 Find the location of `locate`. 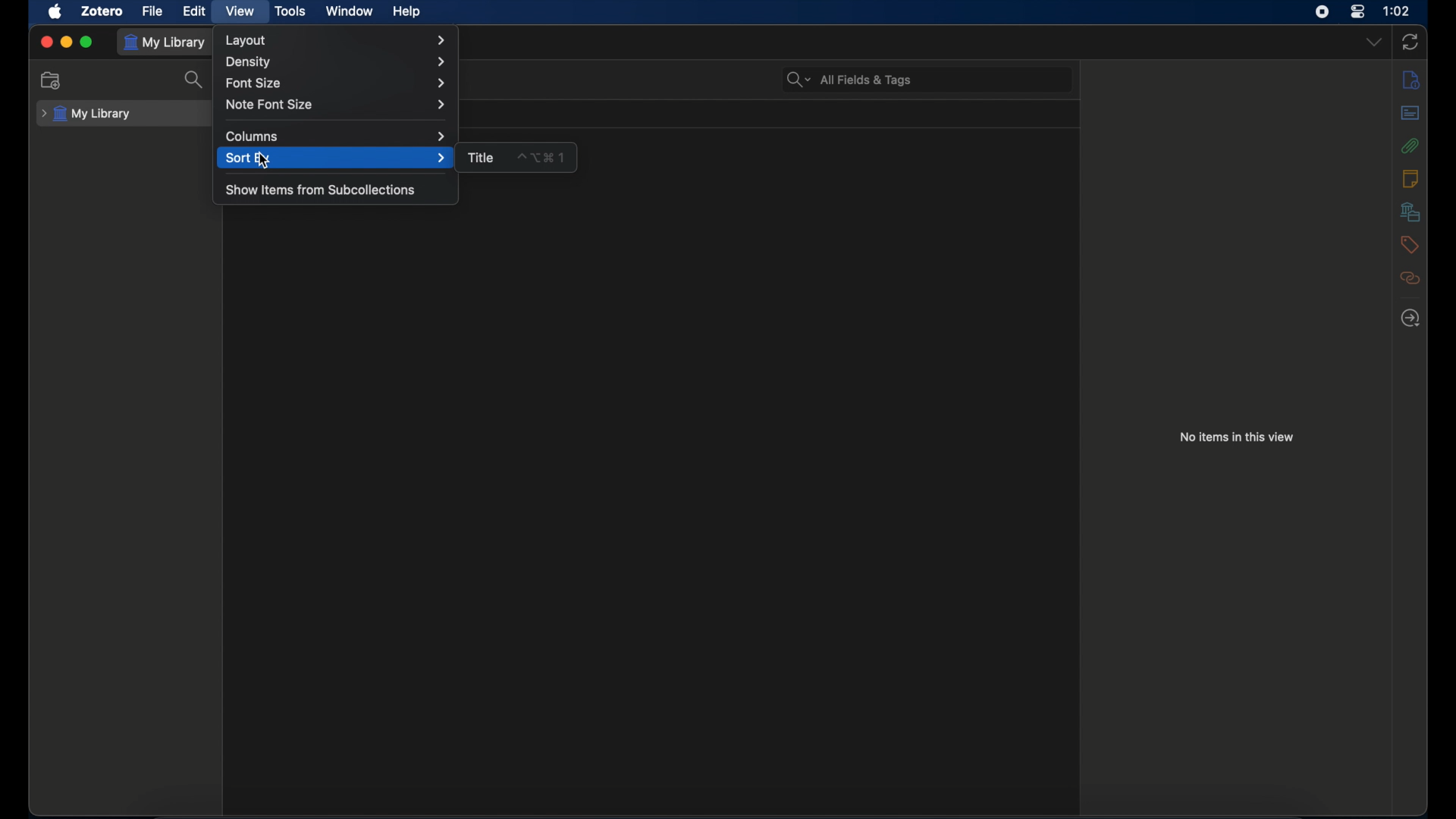

locate is located at coordinates (1411, 318).